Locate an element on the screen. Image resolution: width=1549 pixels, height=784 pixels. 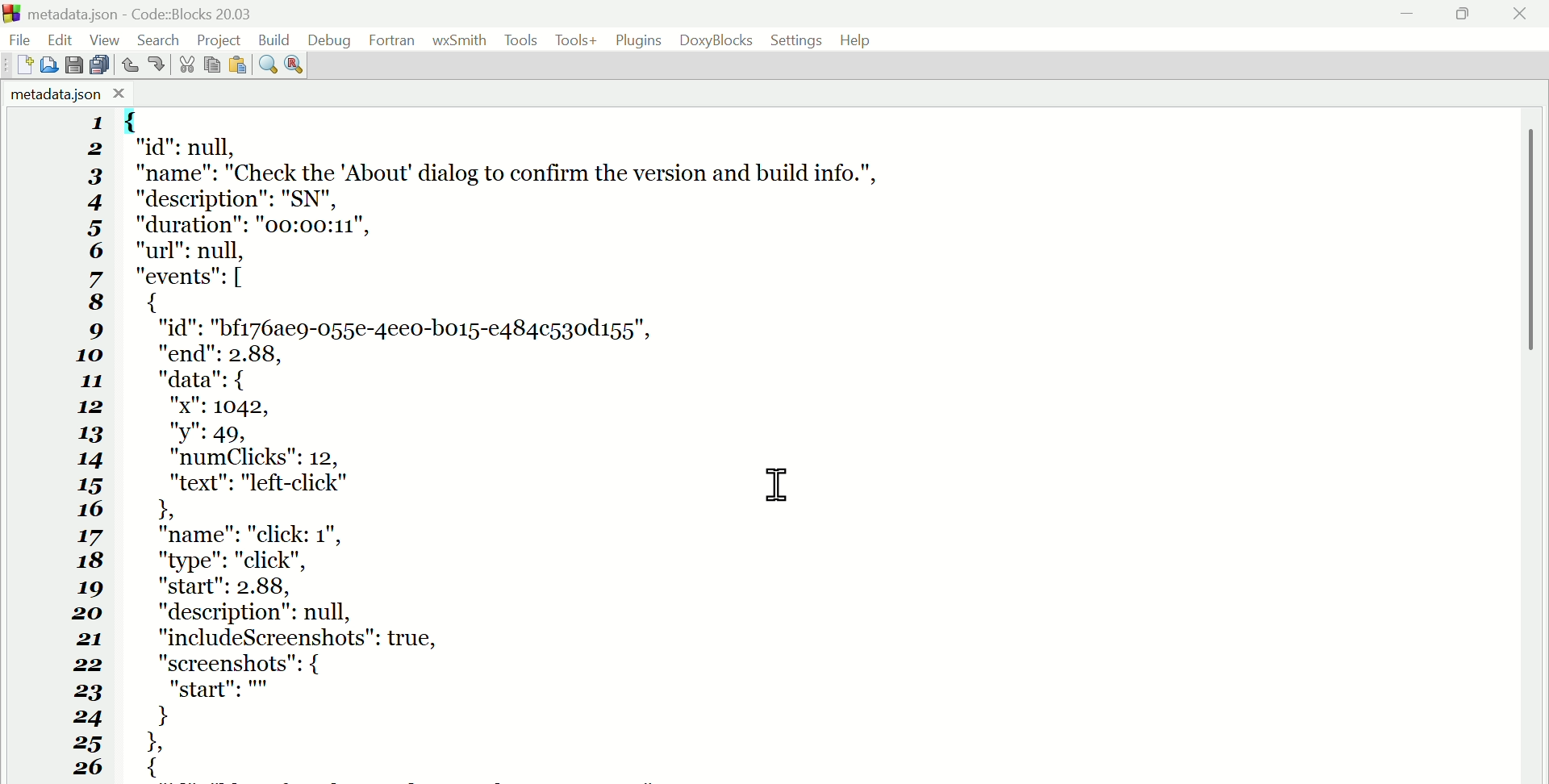
Maximise is located at coordinates (1465, 15).